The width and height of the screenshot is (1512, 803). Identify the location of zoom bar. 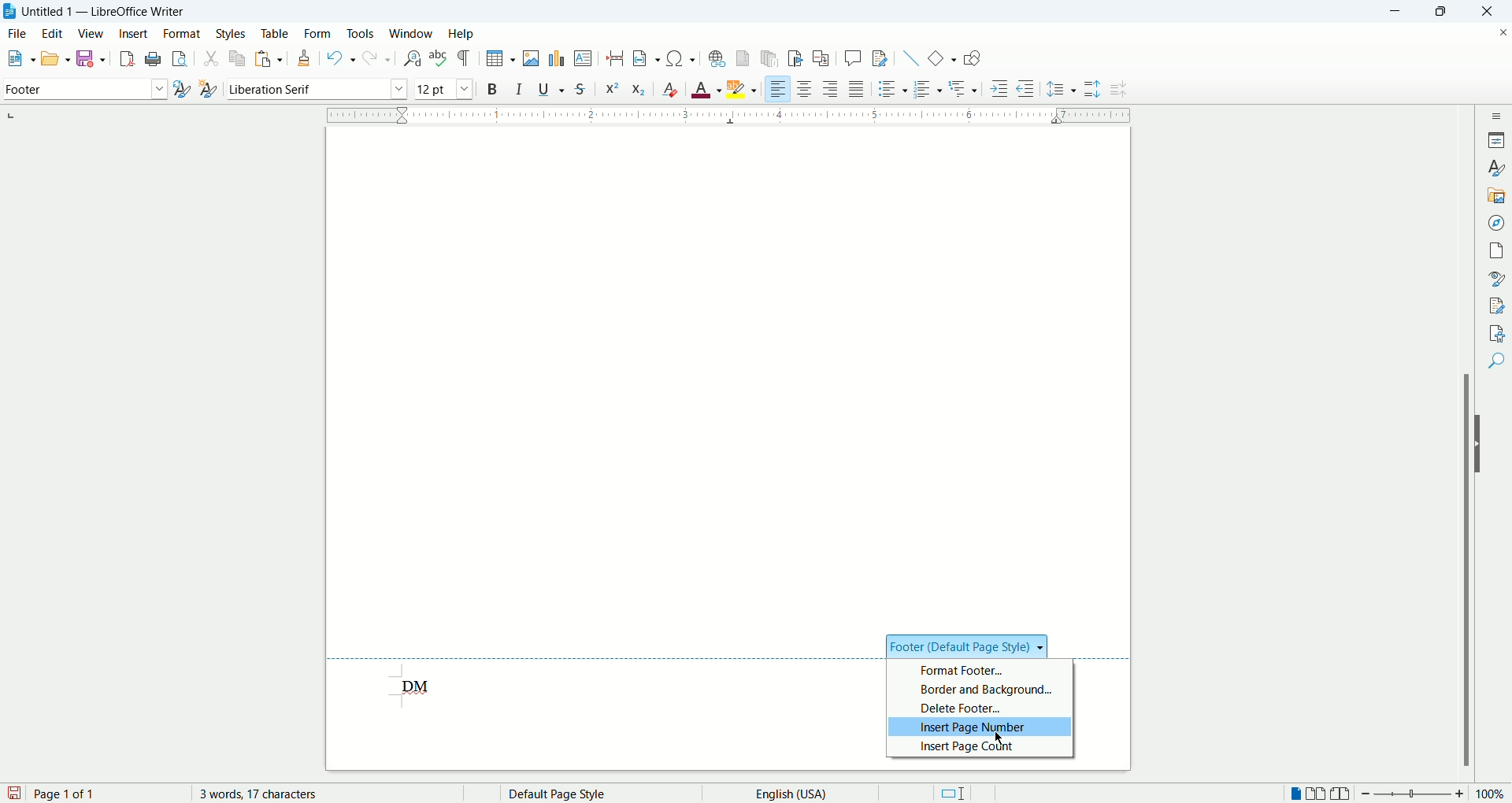
(1412, 794).